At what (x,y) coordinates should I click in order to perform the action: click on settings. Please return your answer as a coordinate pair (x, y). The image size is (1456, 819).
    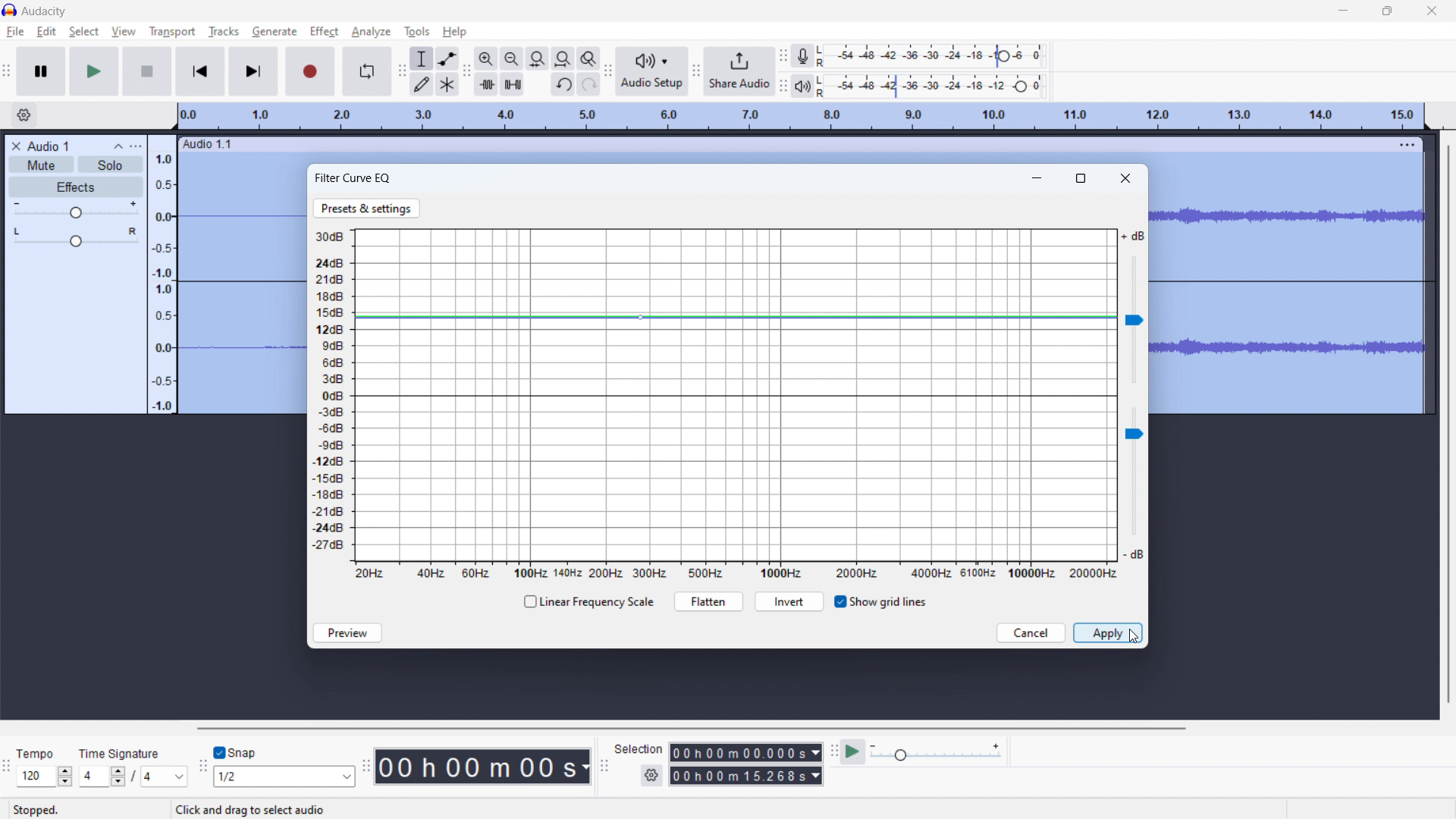
    Looking at the image, I should click on (651, 776).